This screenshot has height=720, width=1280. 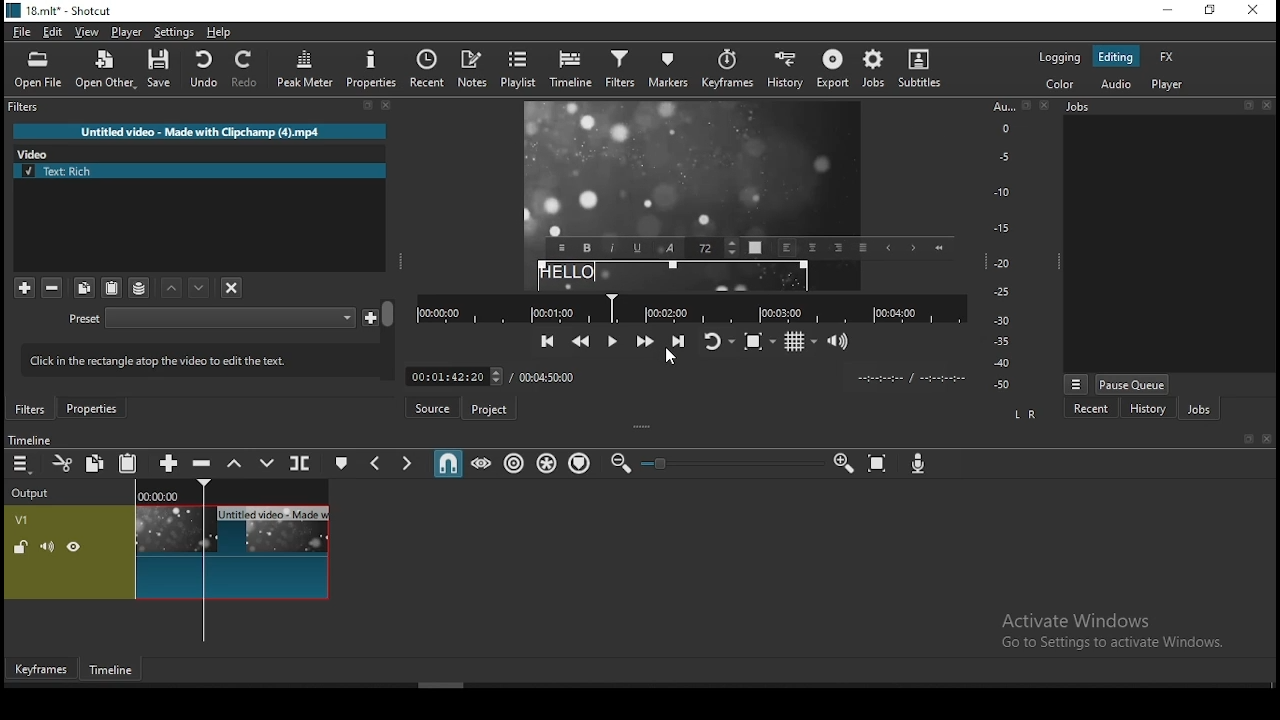 I want to click on Underline, so click(x=638, y=247).